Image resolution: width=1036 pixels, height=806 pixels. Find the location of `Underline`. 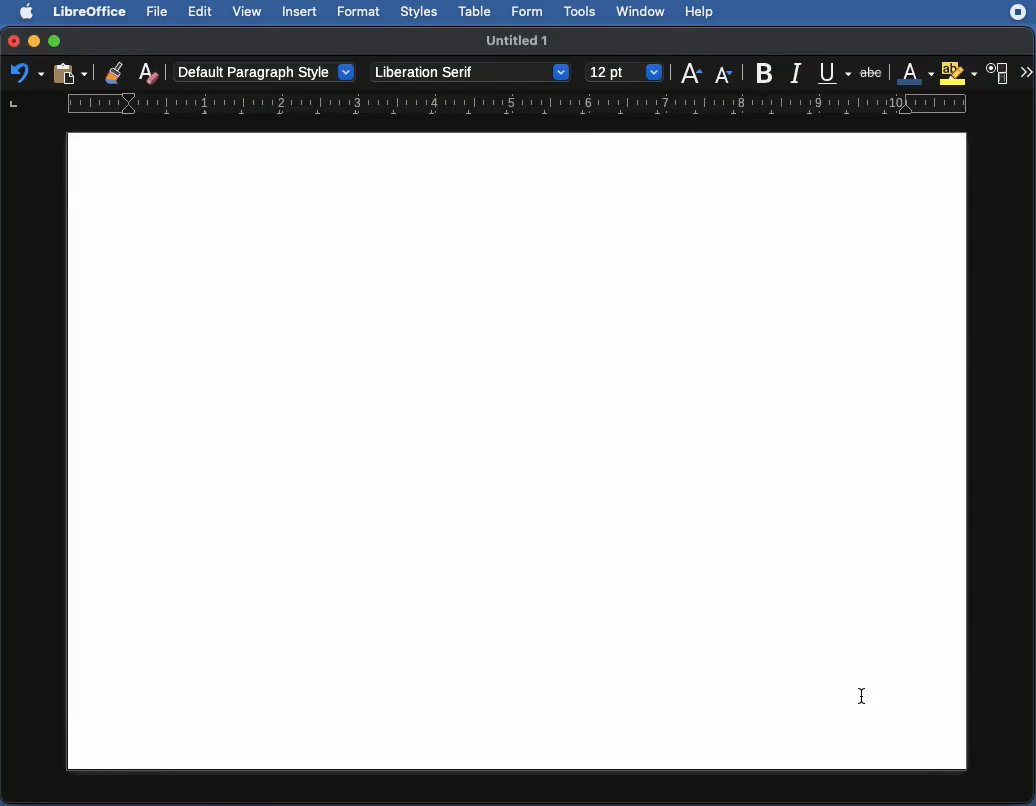

Underline is located at coordinates (831, 72).